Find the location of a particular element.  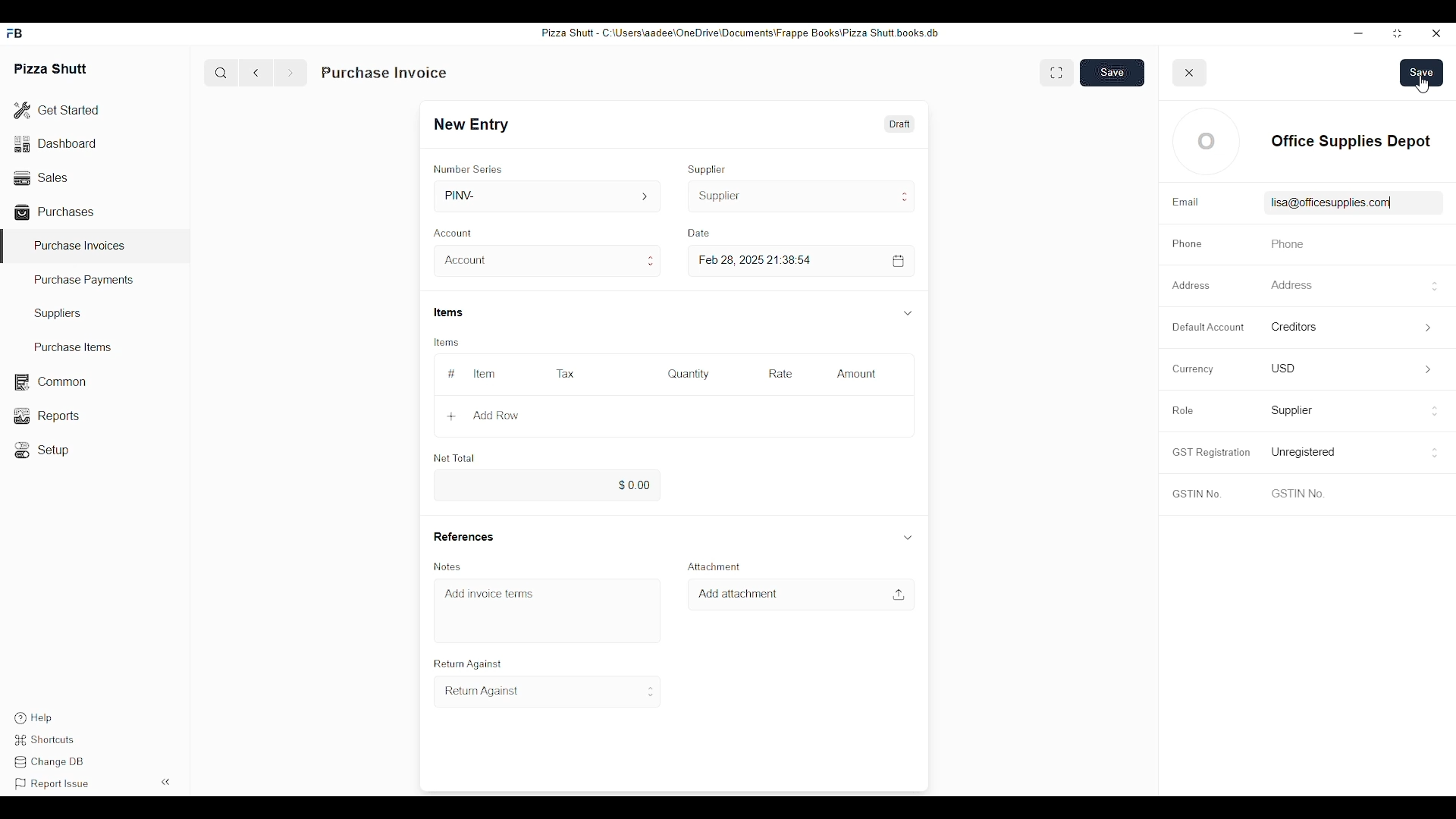

Sales is located at coordinates (39, 176).